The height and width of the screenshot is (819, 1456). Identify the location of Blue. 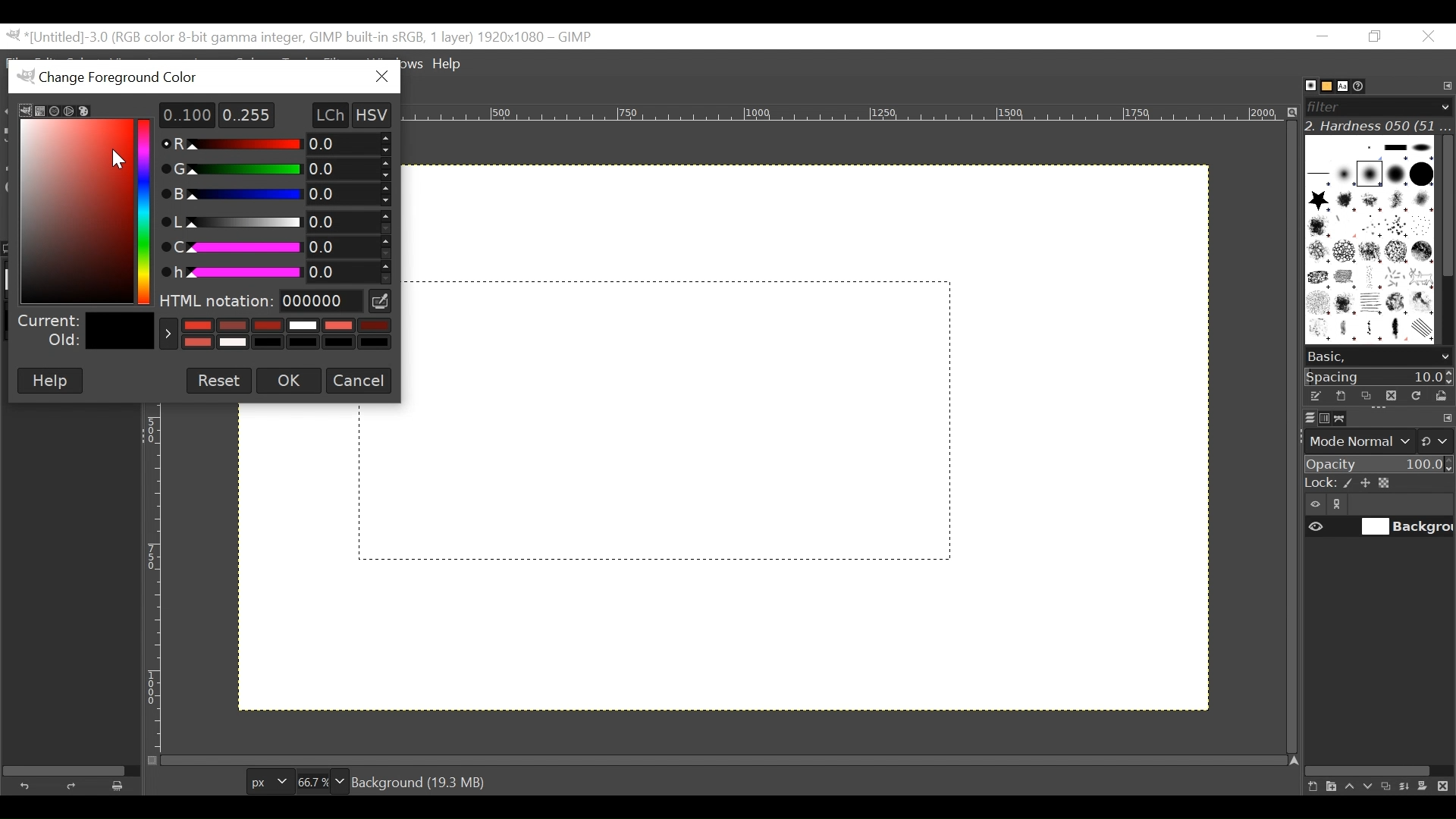
(275, 193).